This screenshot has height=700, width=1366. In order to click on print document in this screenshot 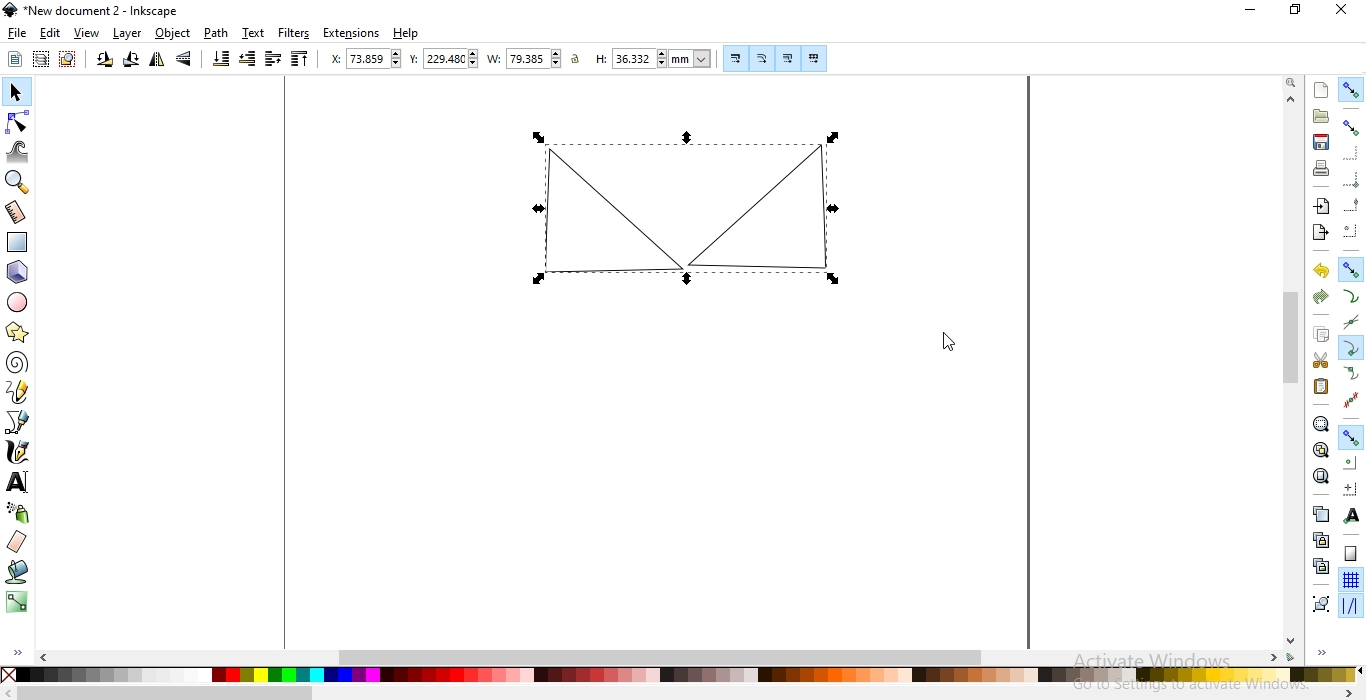, I will do `click(1323, 168)`.